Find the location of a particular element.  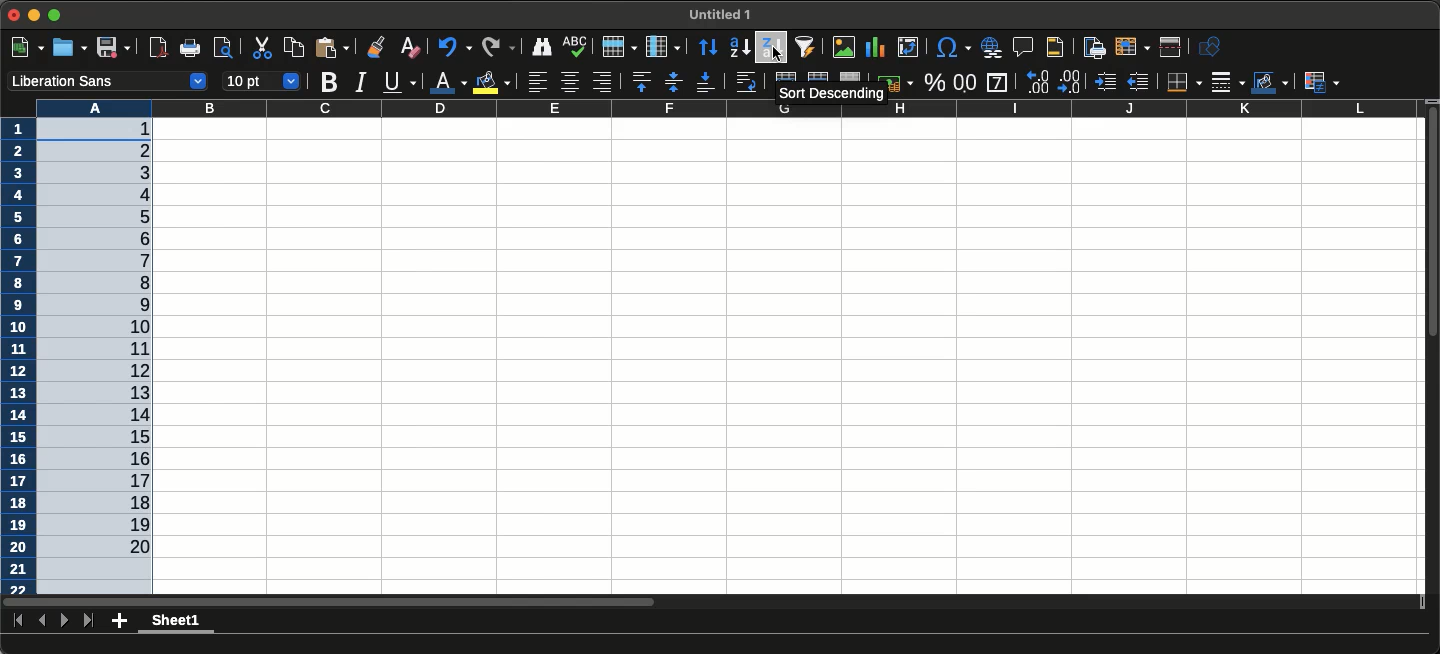

8 is located at coordinates (130, 283).